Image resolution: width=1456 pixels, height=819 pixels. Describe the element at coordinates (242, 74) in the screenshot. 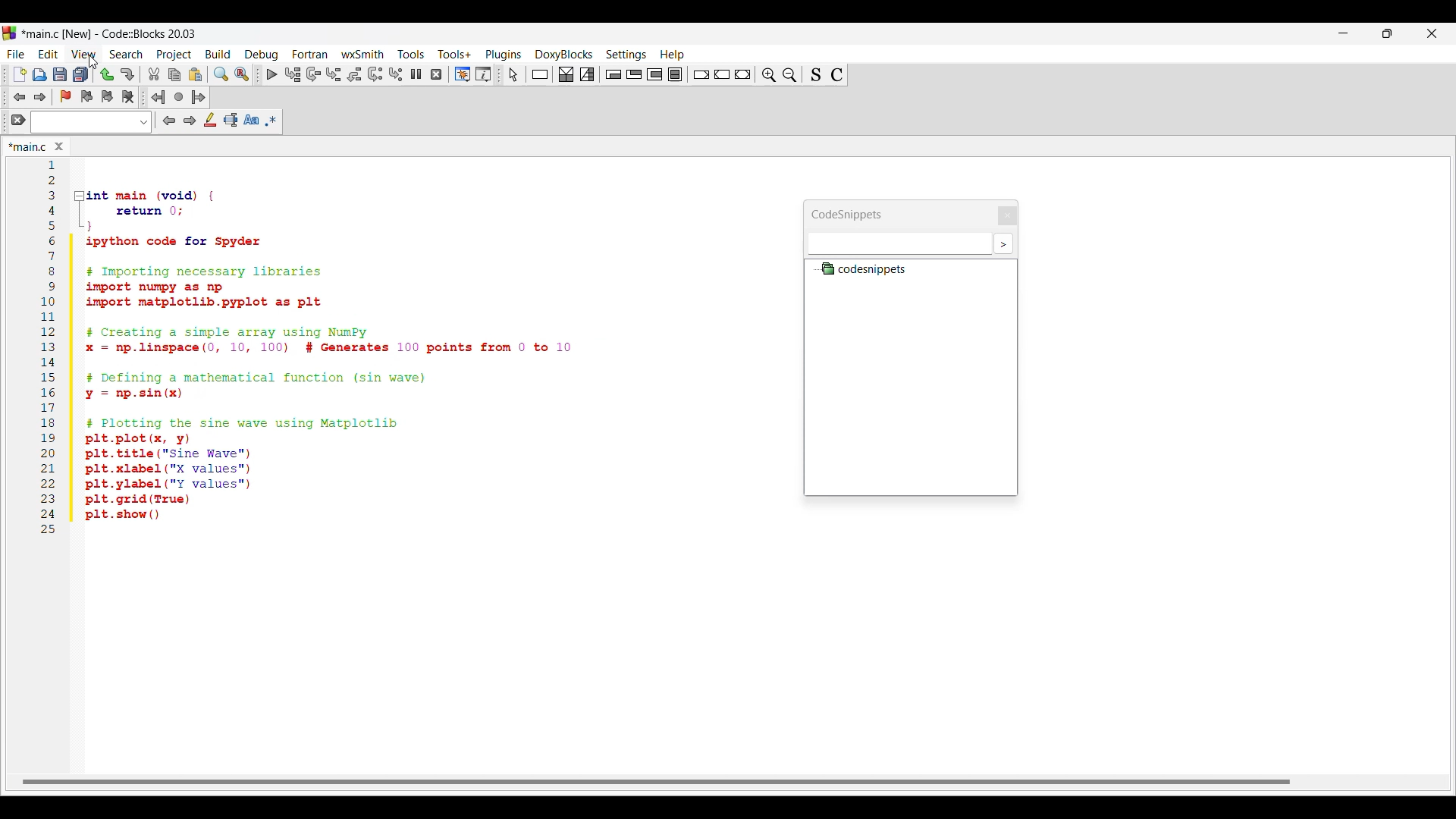

I see `Replace` at that location.